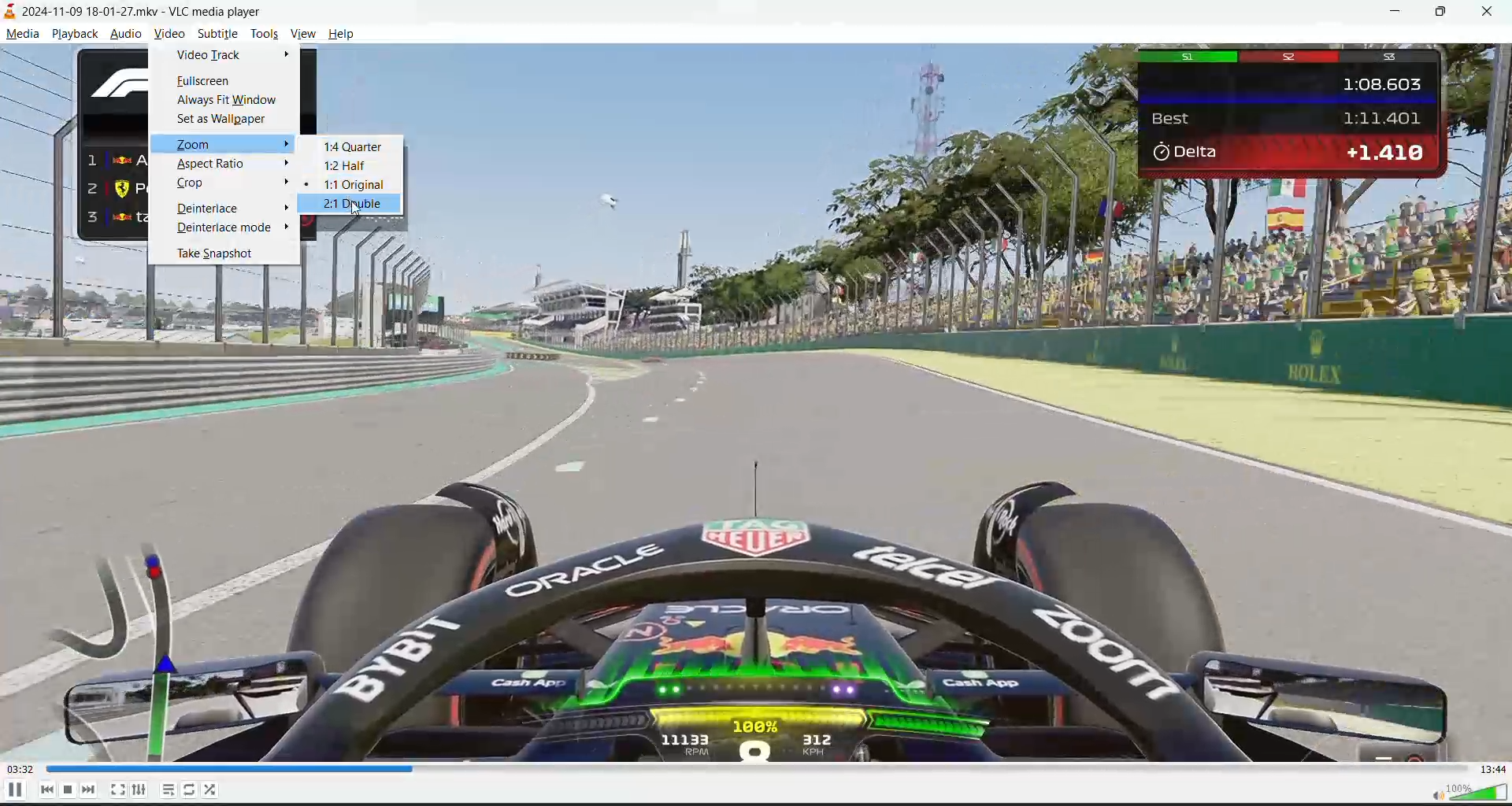 This screenshot has width=1512, height=806. Describe the element at coordinates (225, 229) in the screenshot. I see `deinterlace mode` at that location.